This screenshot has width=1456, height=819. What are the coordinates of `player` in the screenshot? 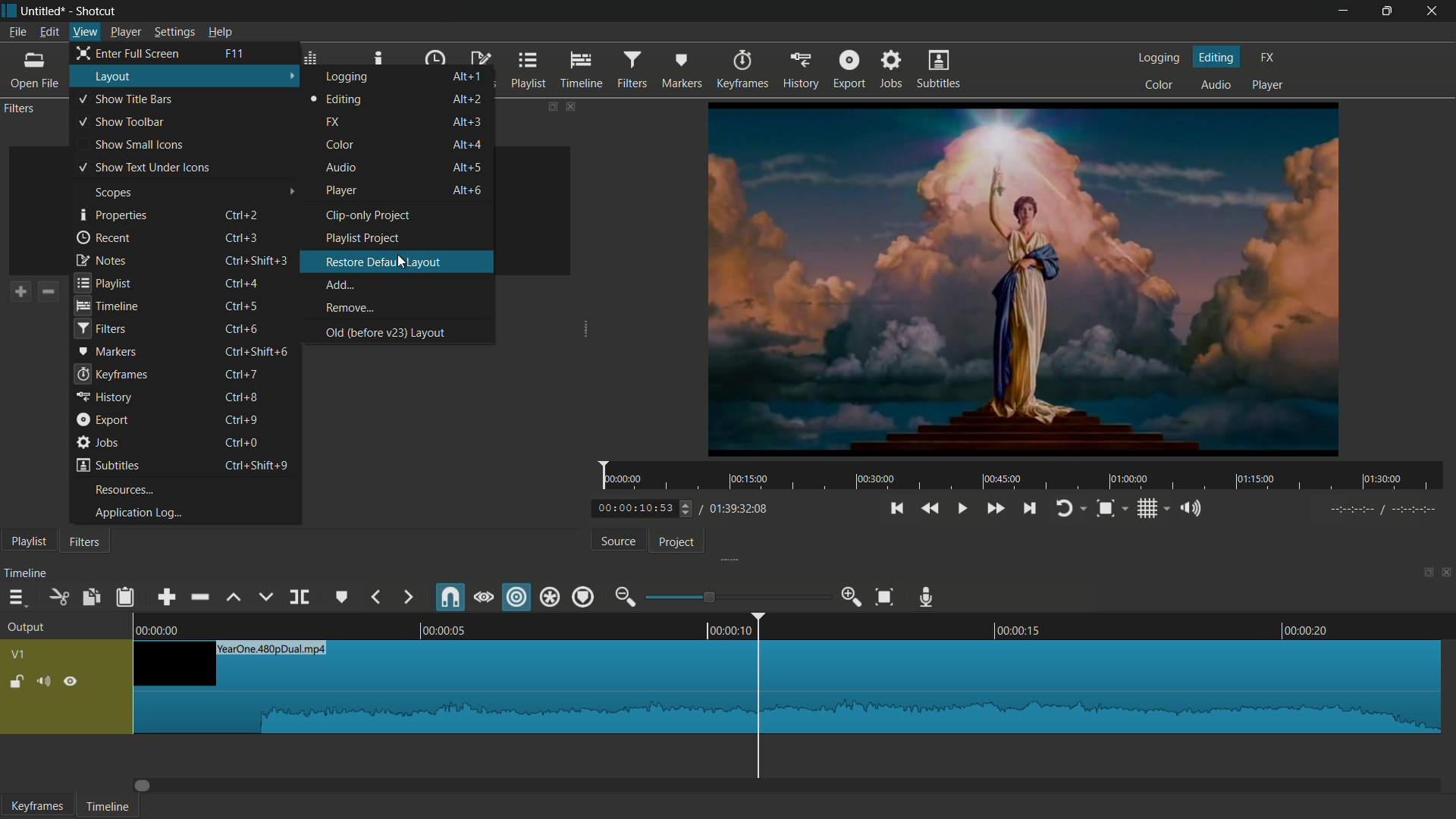 It's located at (1267, 84).